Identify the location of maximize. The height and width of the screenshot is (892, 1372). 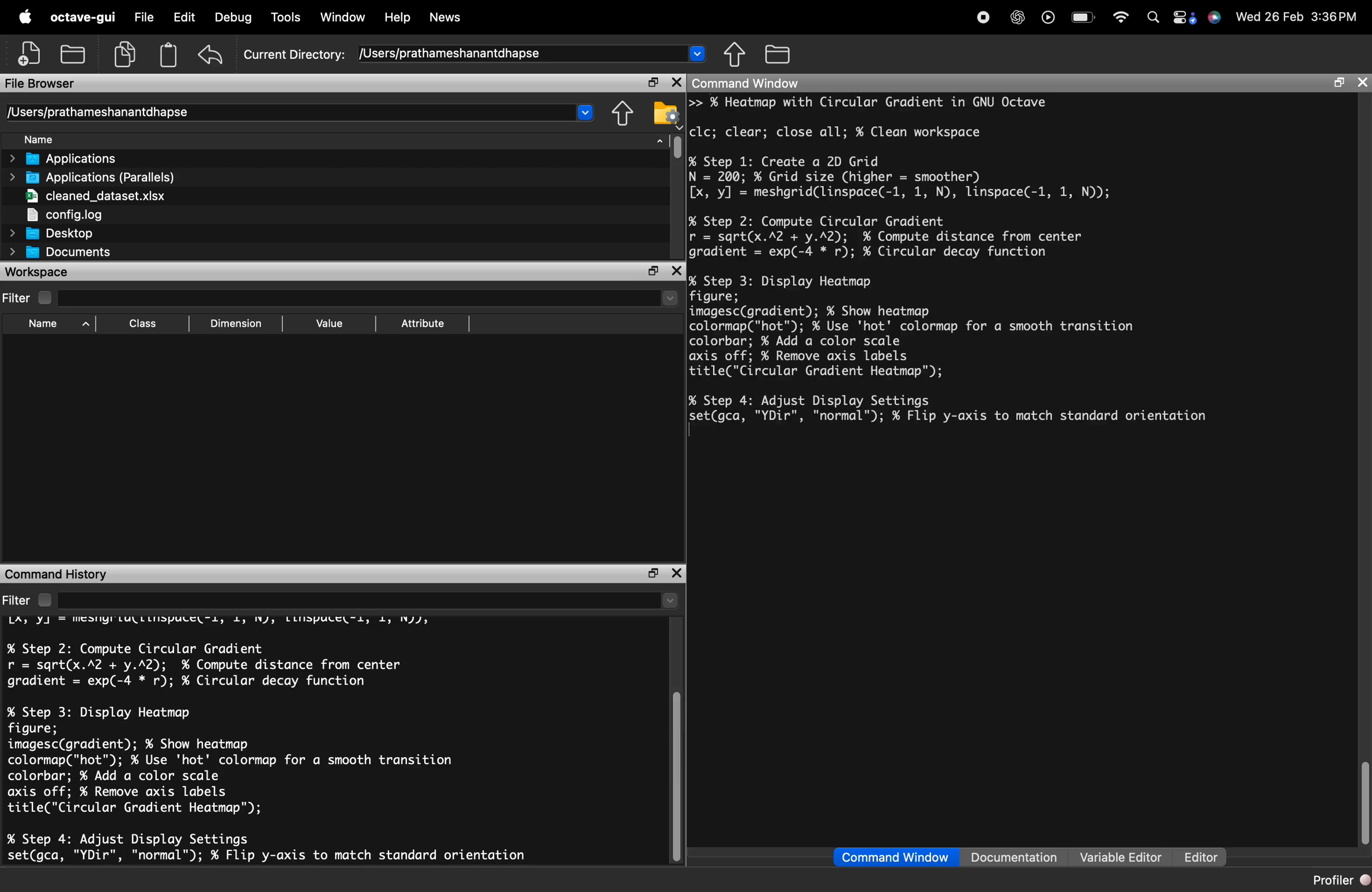
(1337, 82).